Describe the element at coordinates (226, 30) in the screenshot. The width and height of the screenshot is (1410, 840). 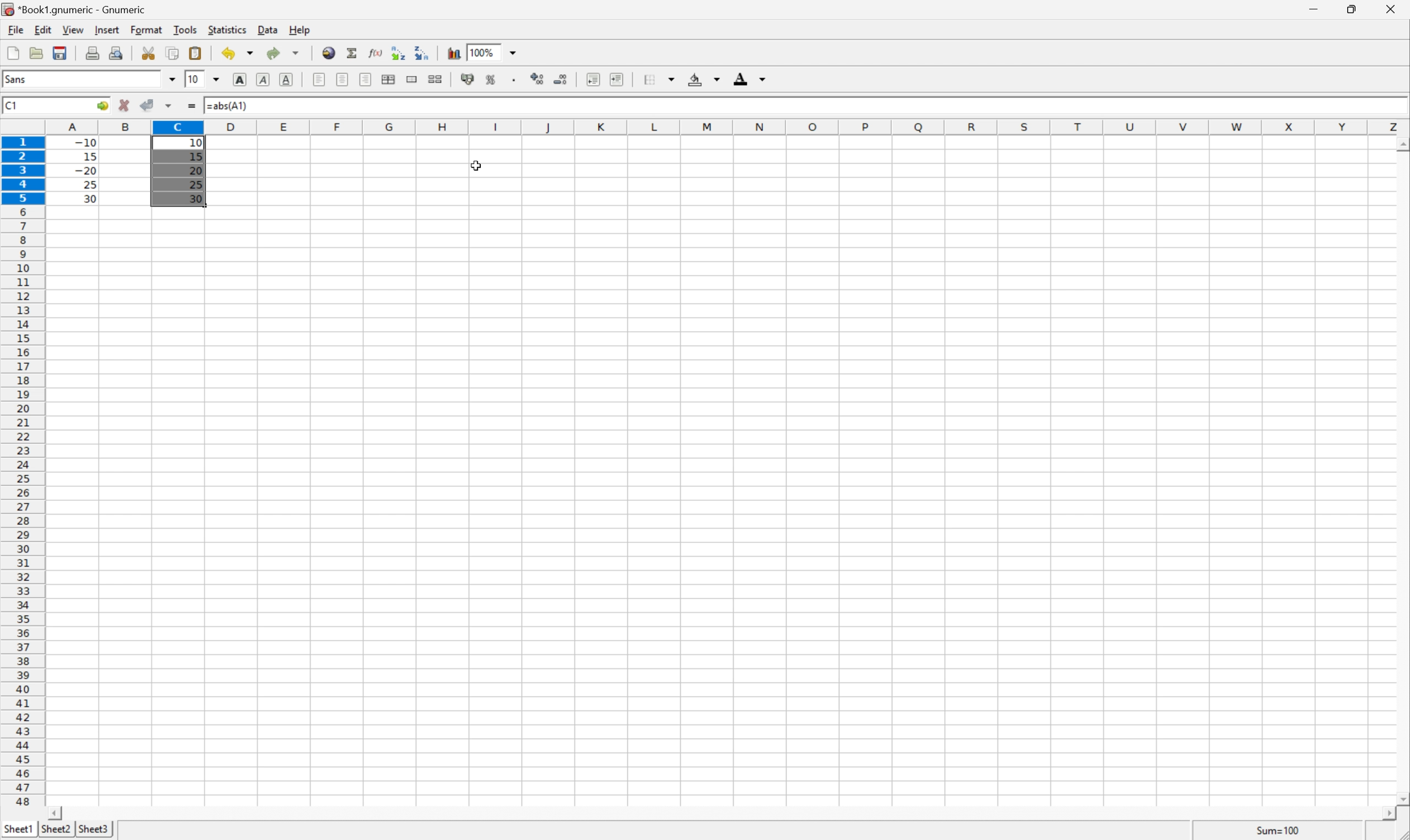
I see `Statistics` at that location.